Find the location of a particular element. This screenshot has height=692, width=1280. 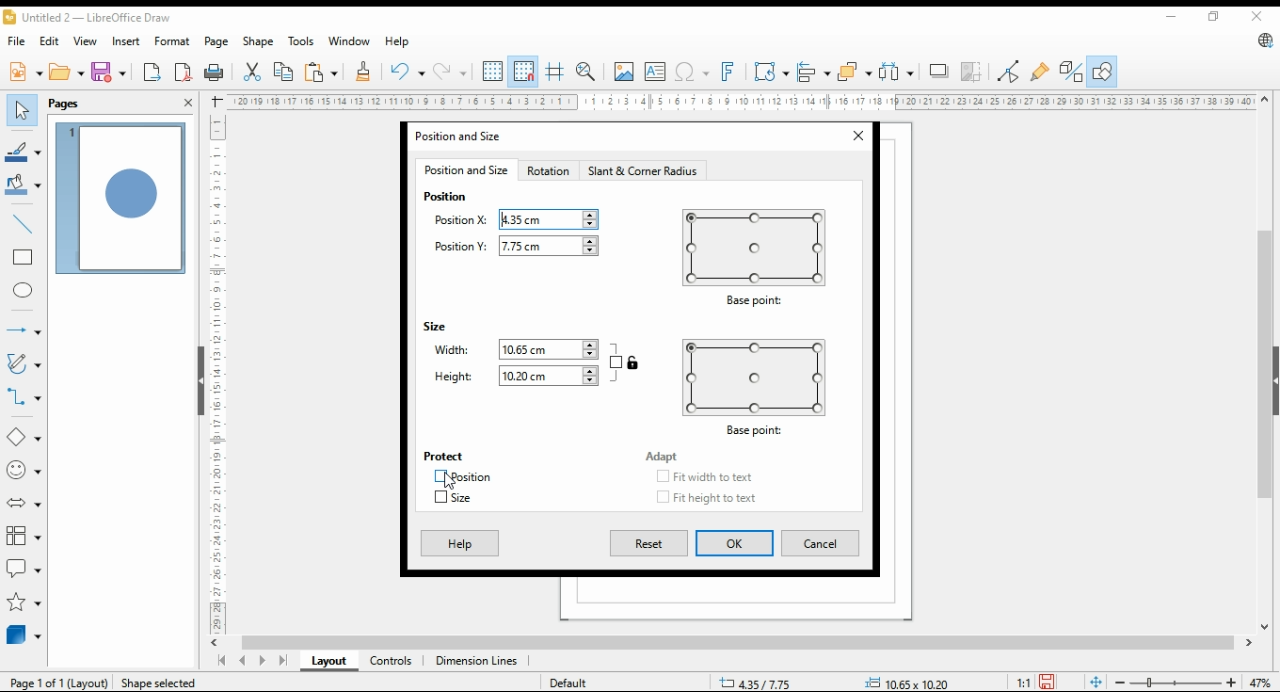

helplines while moving is located at coordinates (553, 72).